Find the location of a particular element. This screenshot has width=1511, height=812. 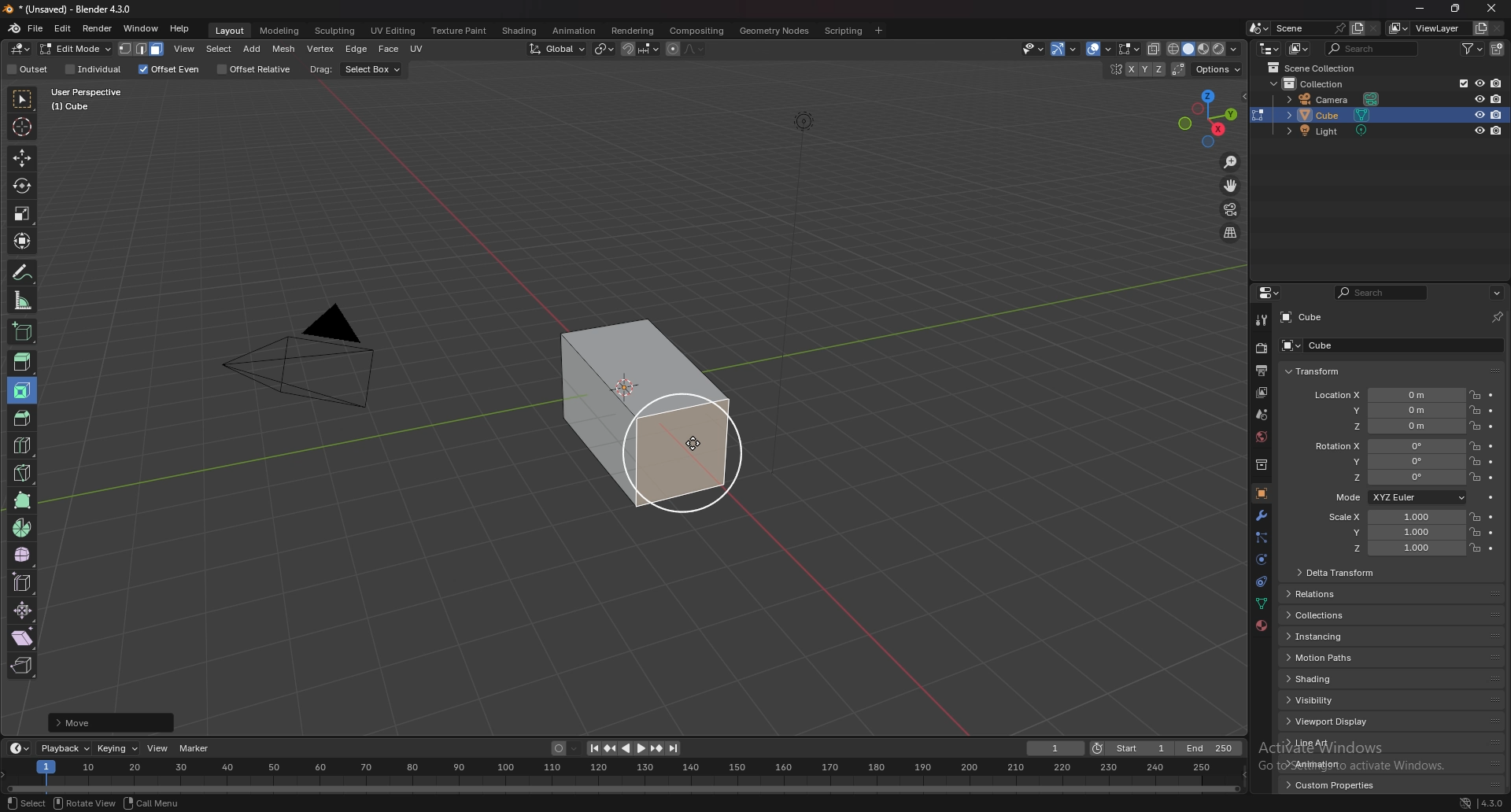

view layer is located at coordinates (1262, 393).